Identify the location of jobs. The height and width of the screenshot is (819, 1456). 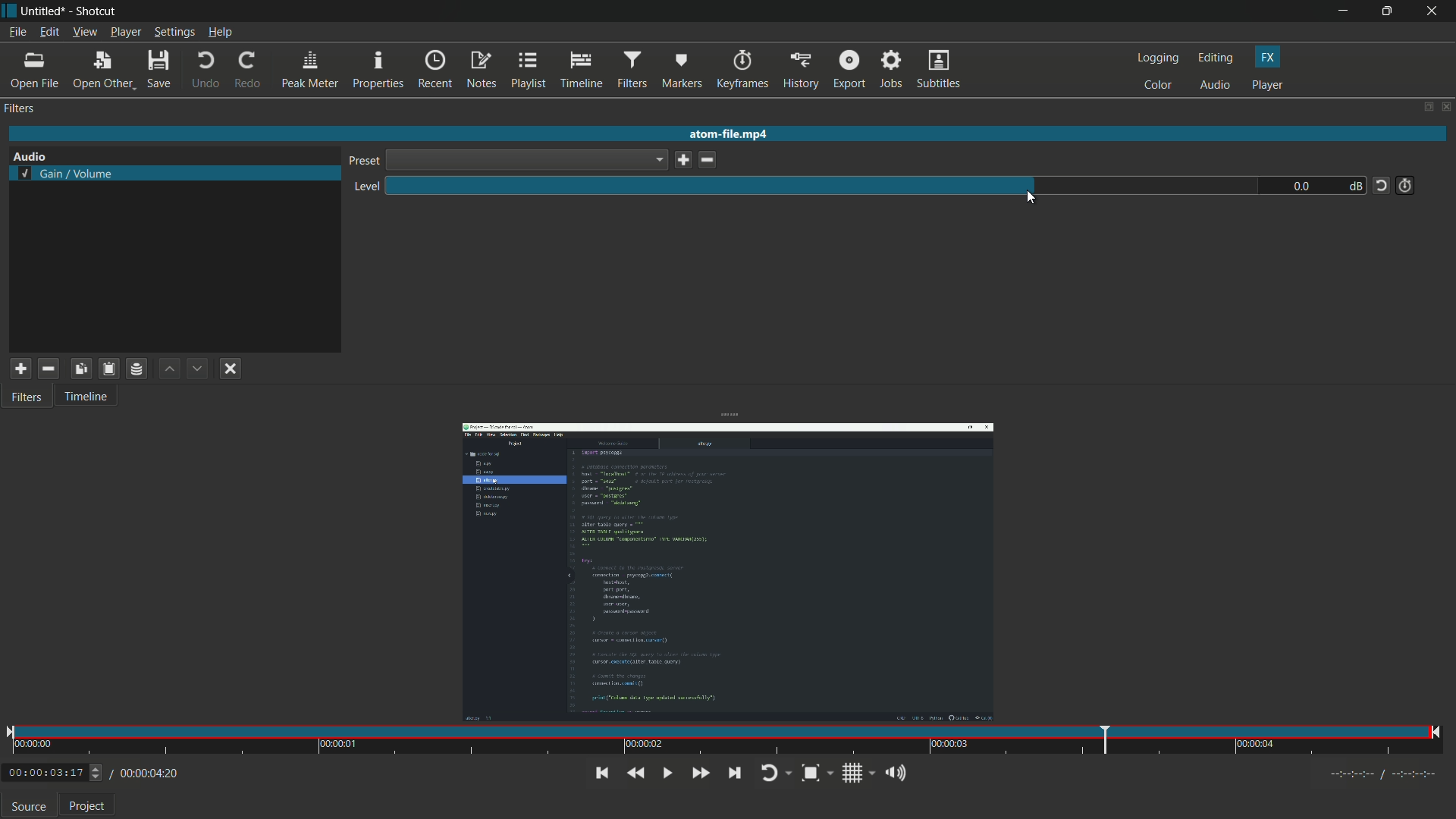
(893, 71).